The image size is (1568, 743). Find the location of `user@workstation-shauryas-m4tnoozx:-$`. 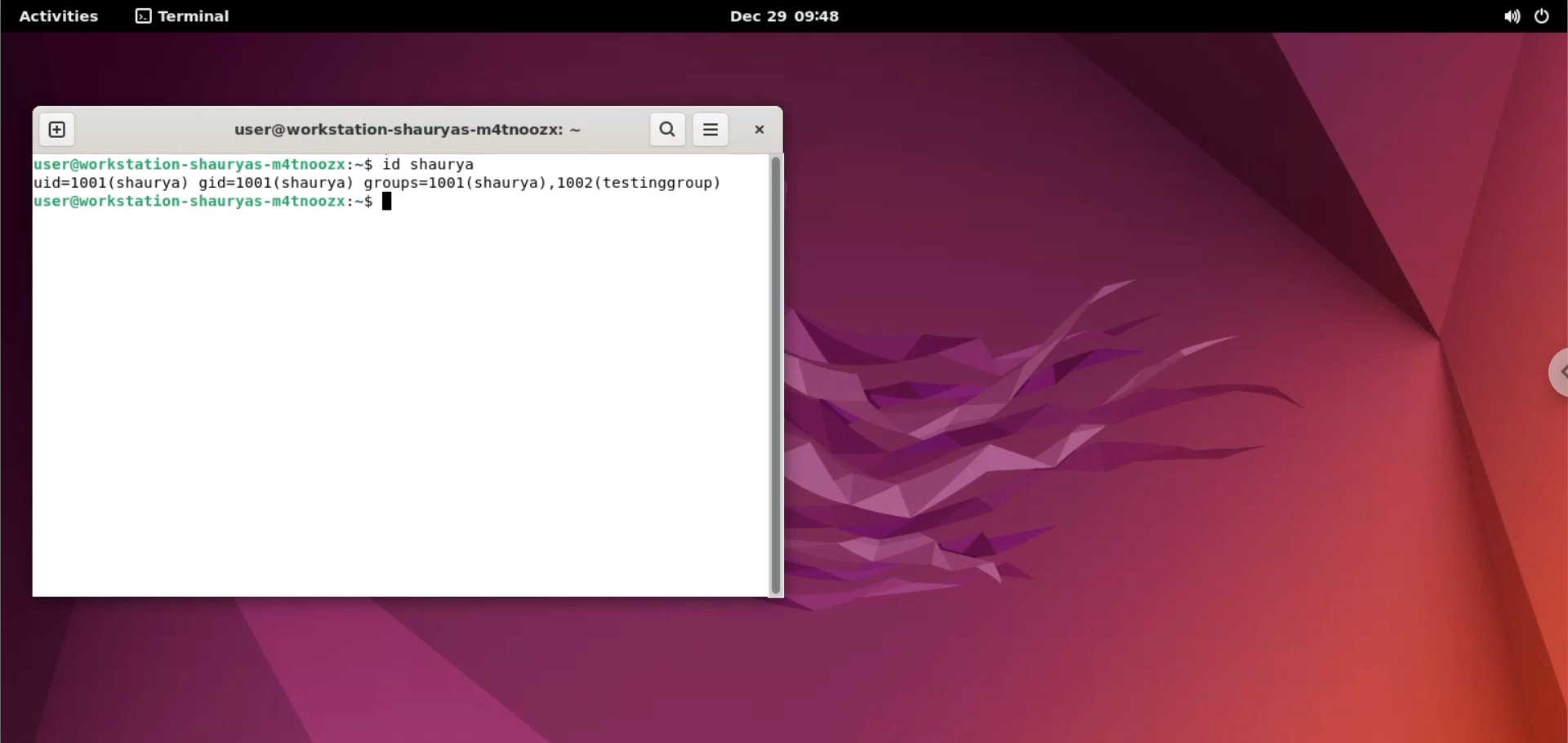

user@workstation-shauryas-m4tnoozx:-$ is located at coordinates (204, 205).